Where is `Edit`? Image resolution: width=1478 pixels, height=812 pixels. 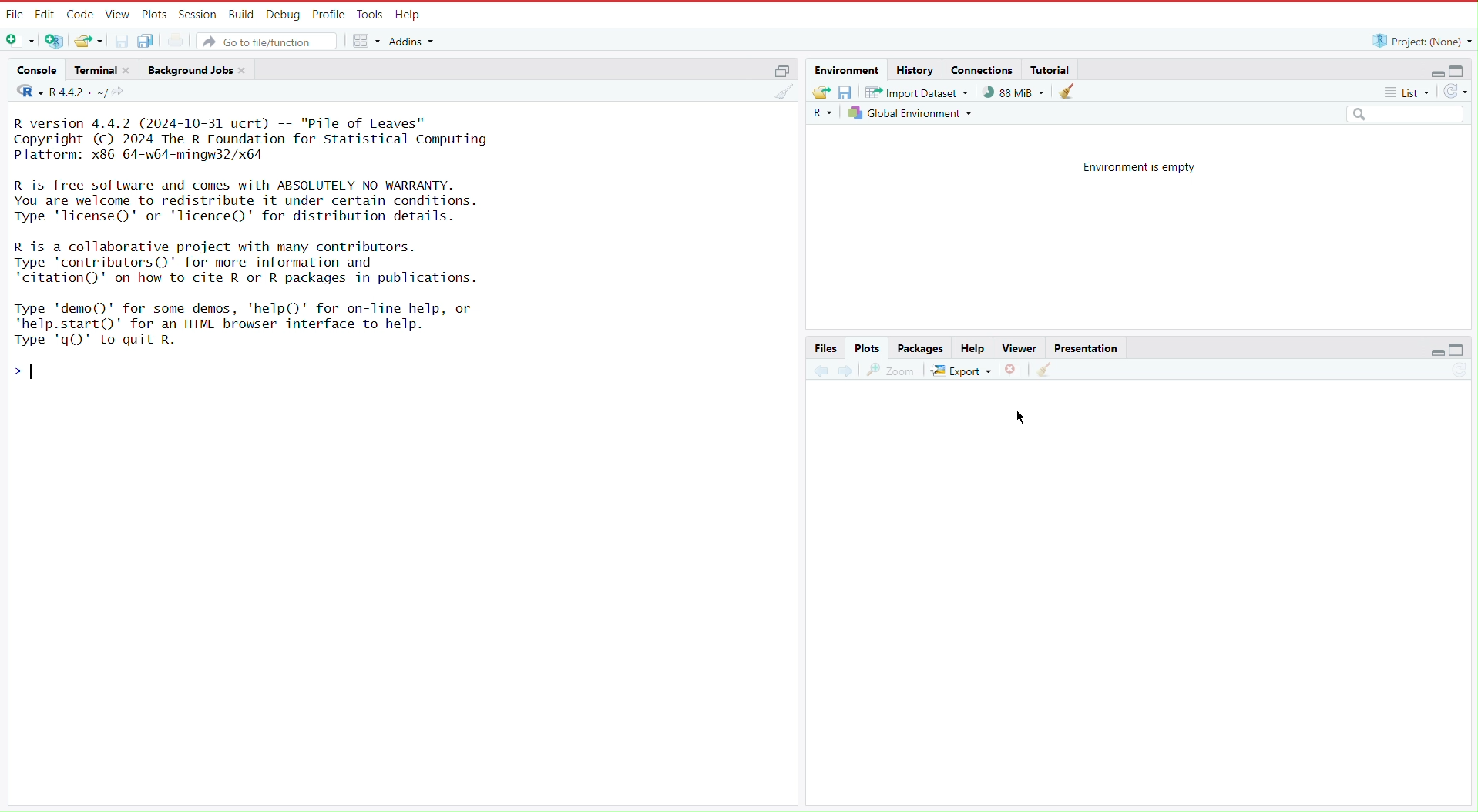
Edit is located at coordinates (45, 14).